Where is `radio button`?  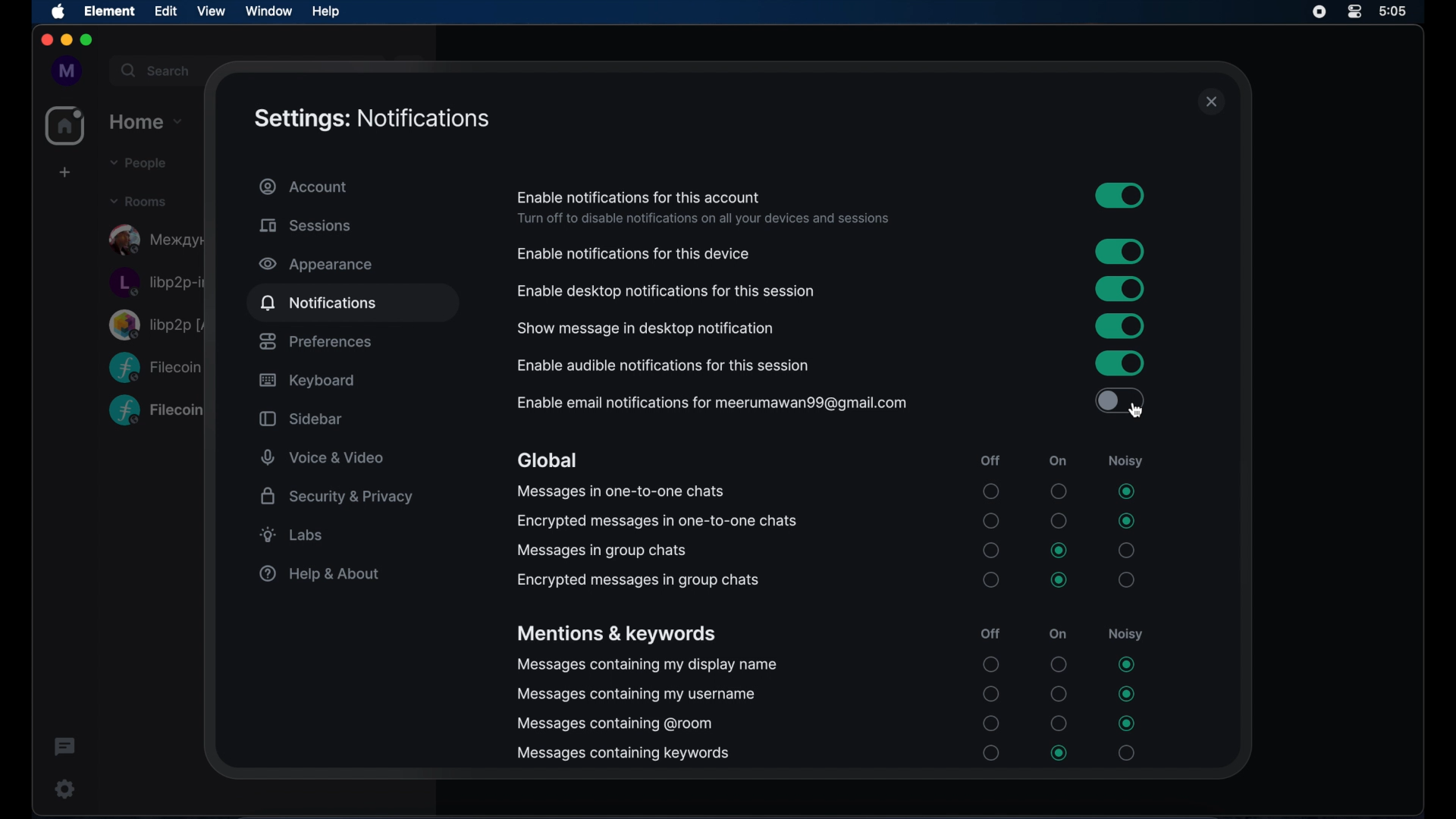
radio button is located at coordinates (1126, 753).